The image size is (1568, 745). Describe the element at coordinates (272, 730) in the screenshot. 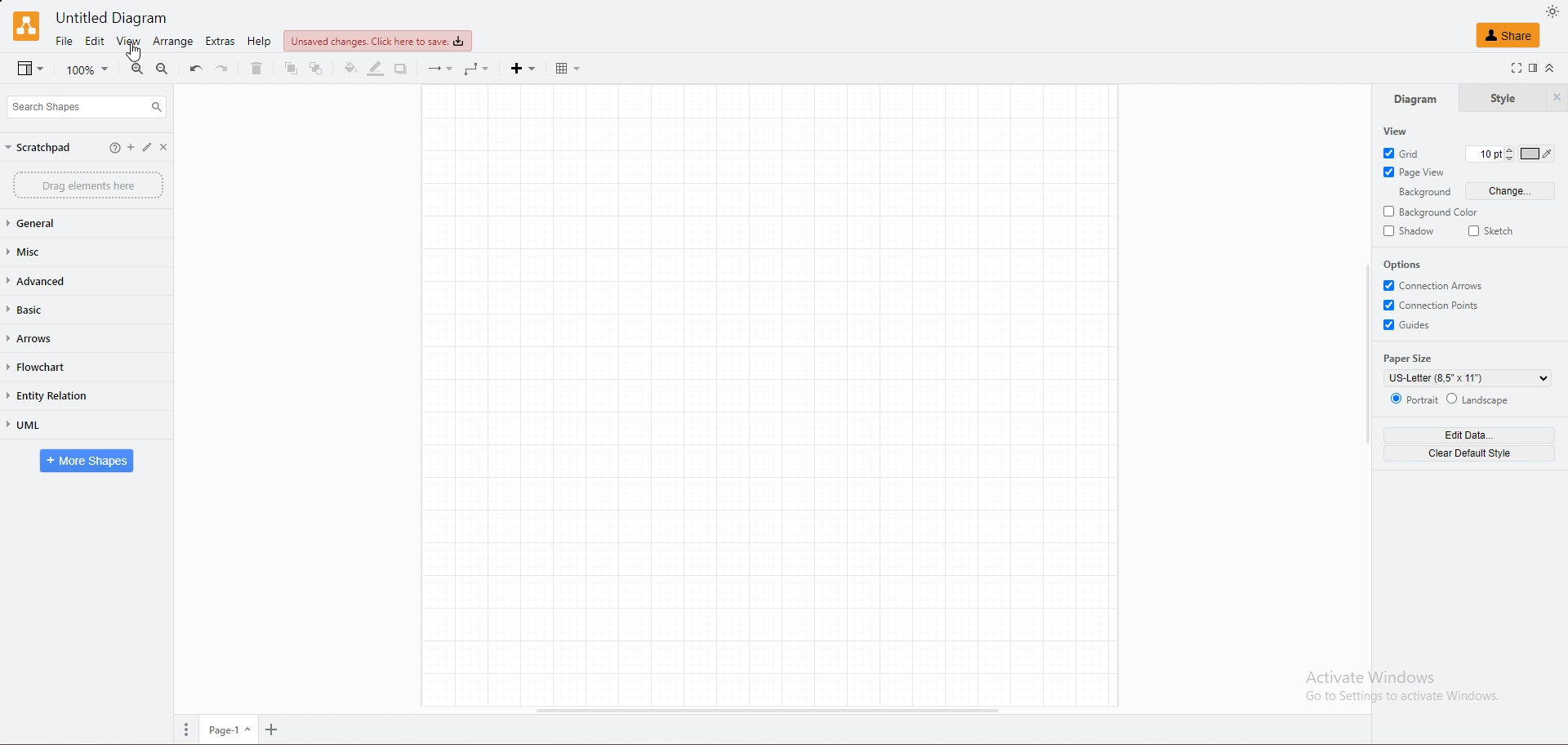

I see `add page` at that location.